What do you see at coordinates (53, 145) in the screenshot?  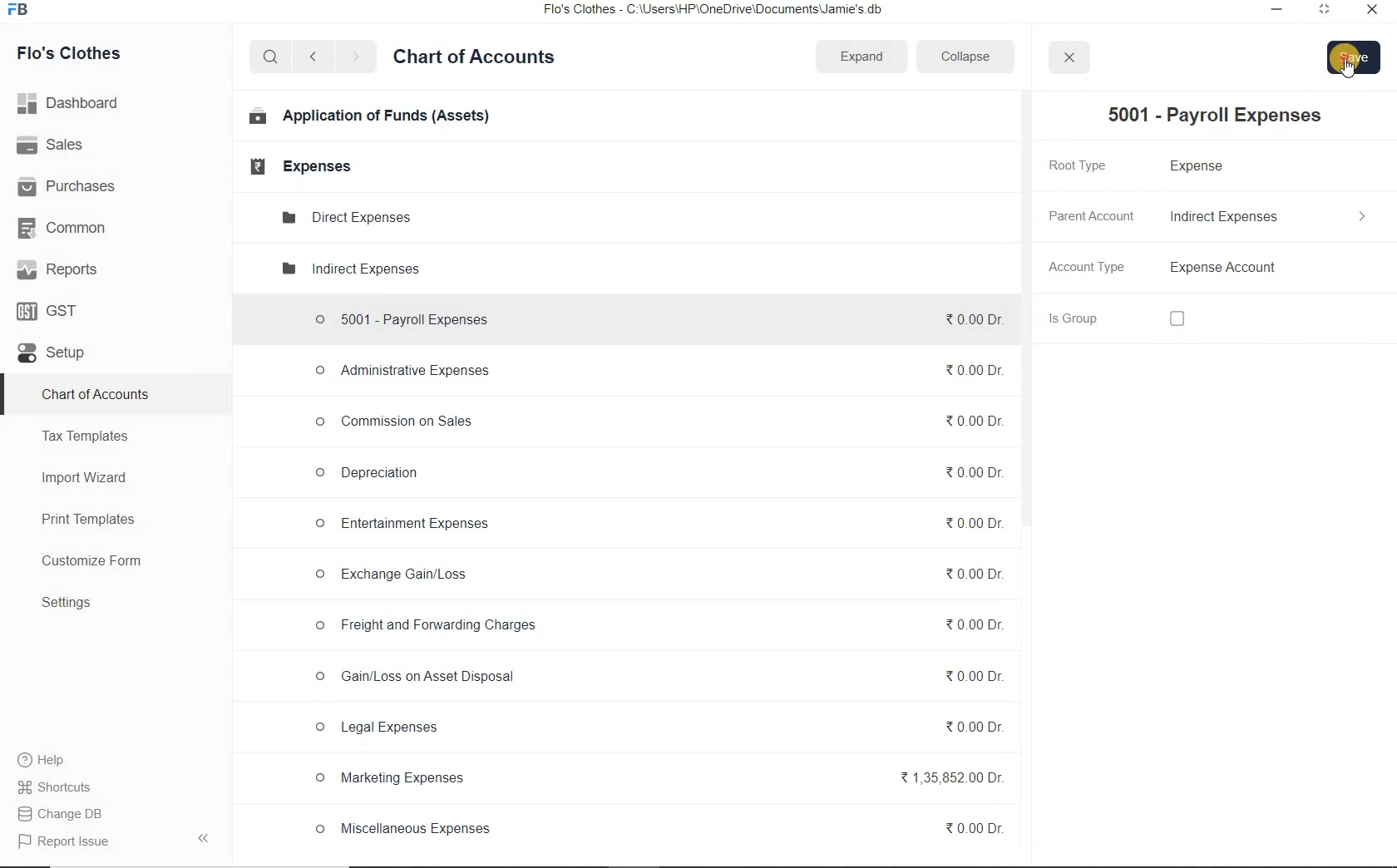 I see `Sales` at bounding box center [53, 145].